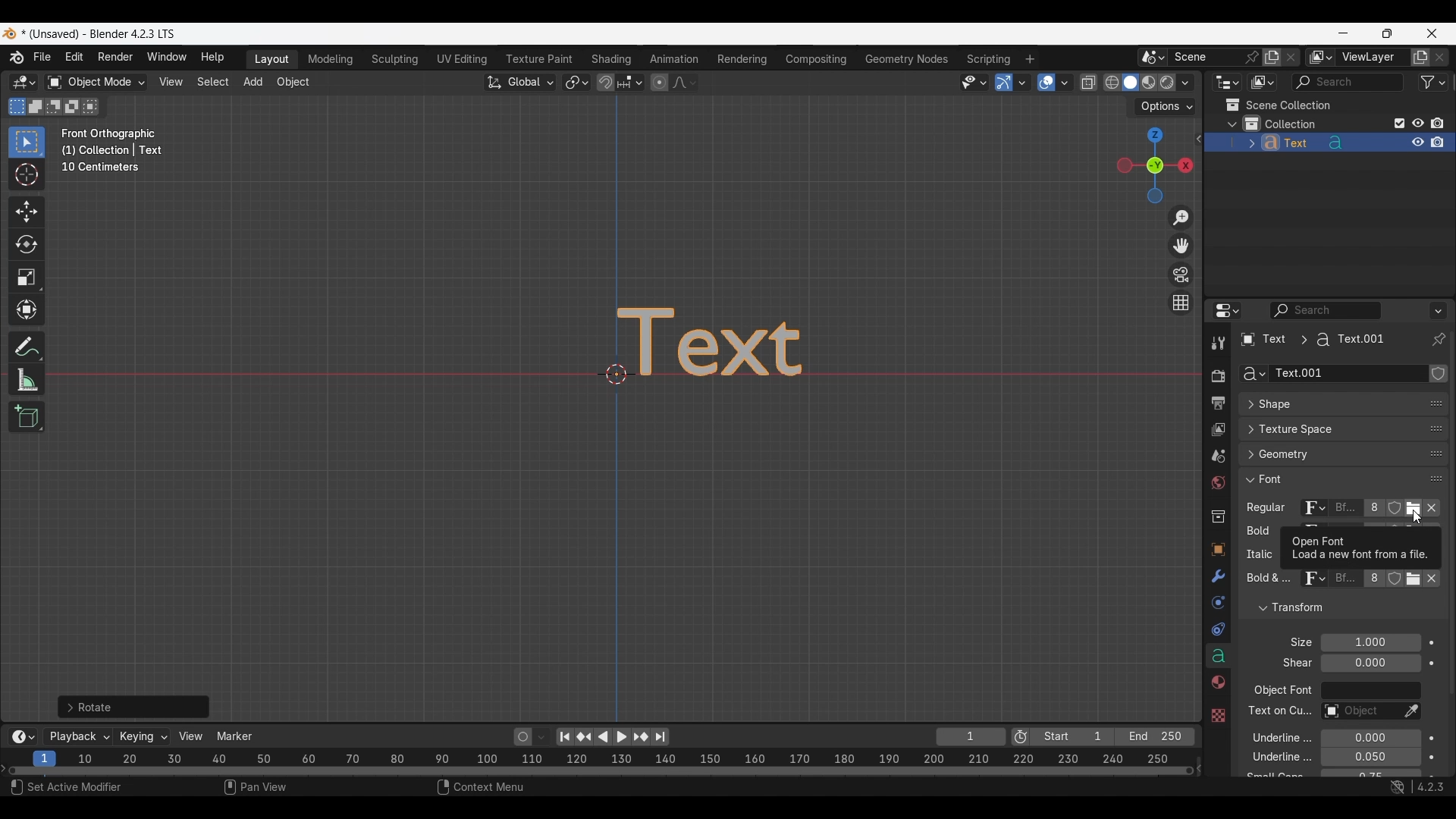 This screenshot has height=819, width=1456. Describe the element at coordinates (1432, 33) in the screenshot. I see `Close interface` at that location.